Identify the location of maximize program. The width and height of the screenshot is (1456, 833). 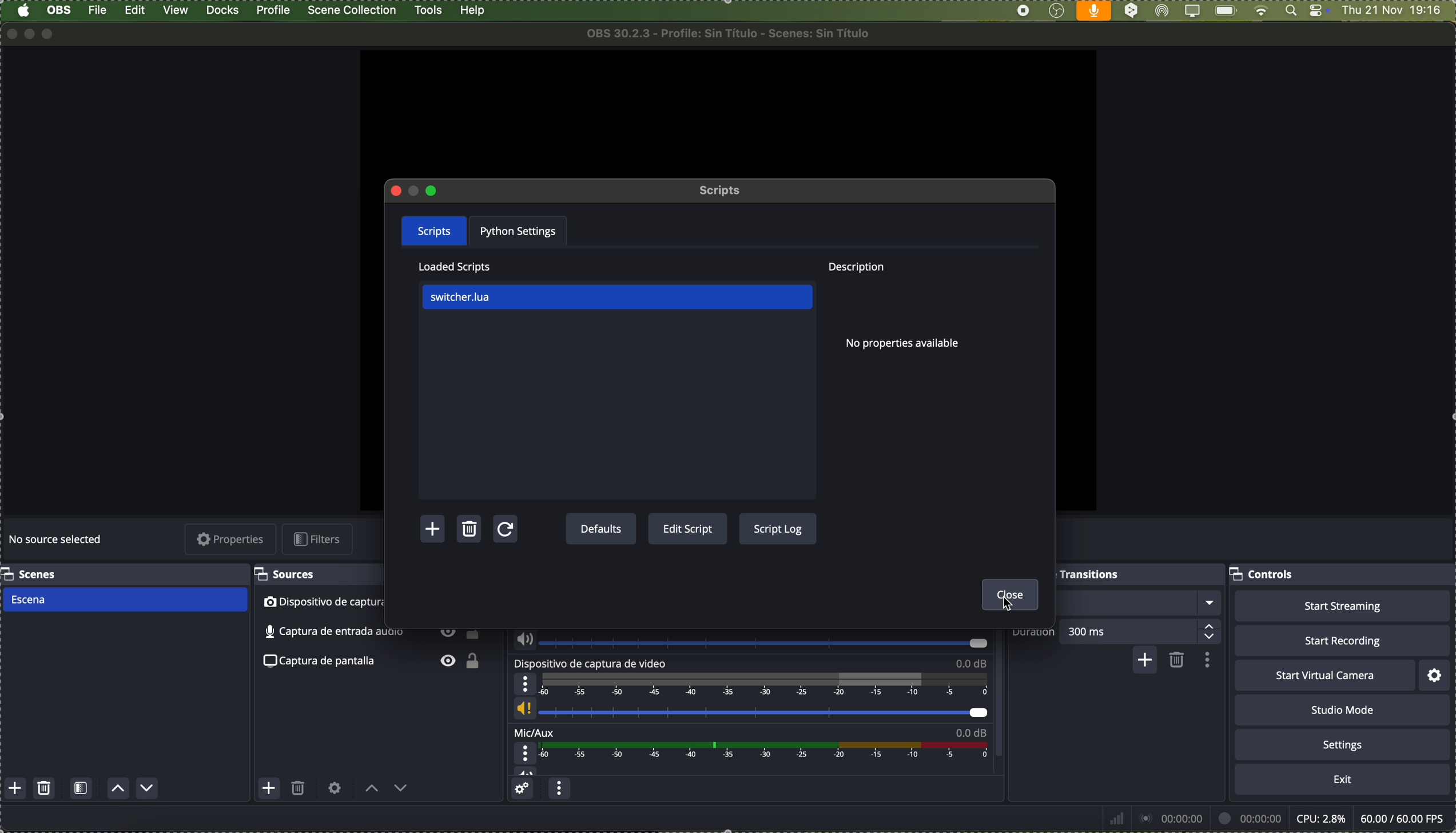
(51, 34).